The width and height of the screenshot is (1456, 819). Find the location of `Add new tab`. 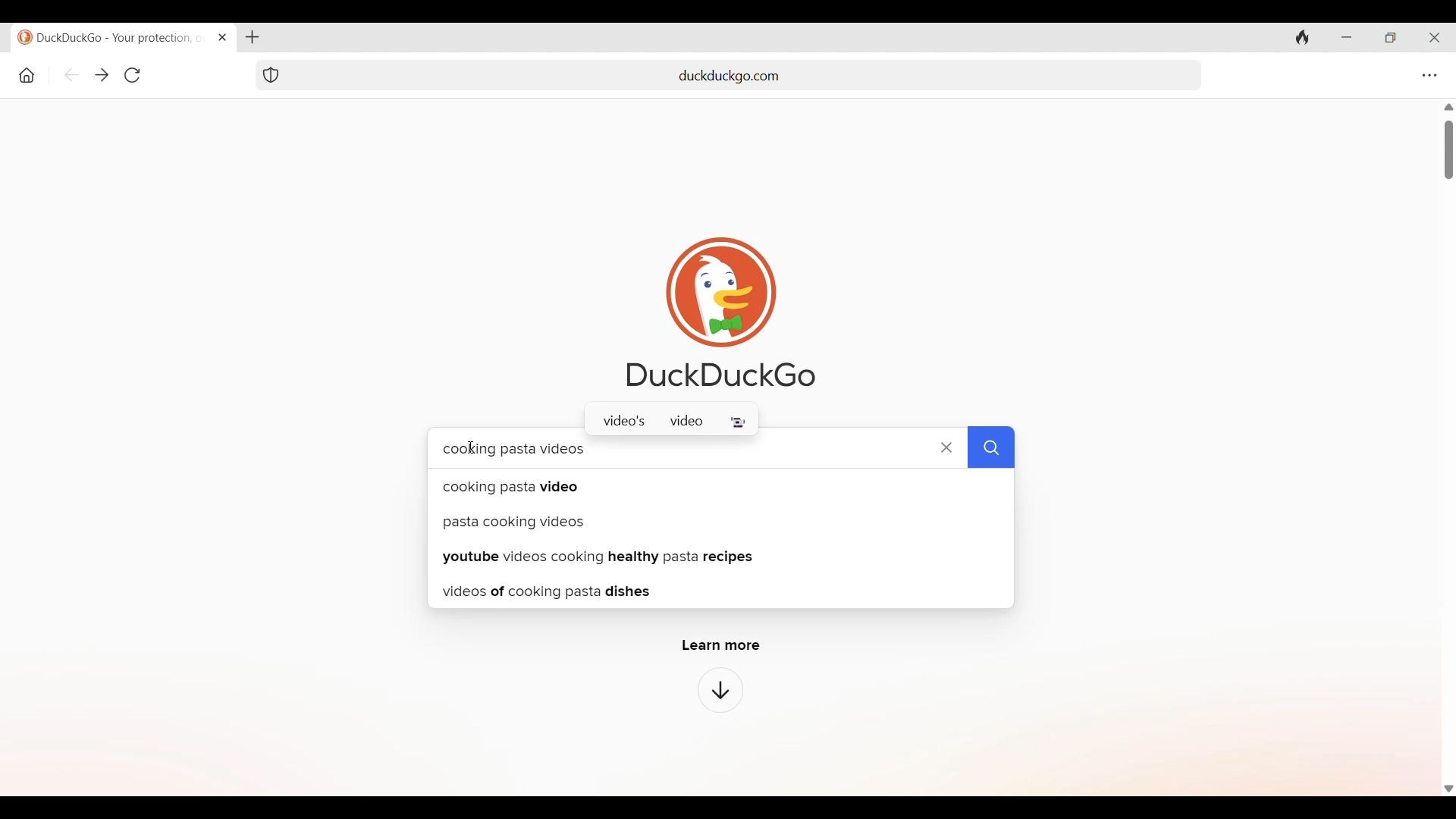

Add new tab is located at coordinates (252, 37).